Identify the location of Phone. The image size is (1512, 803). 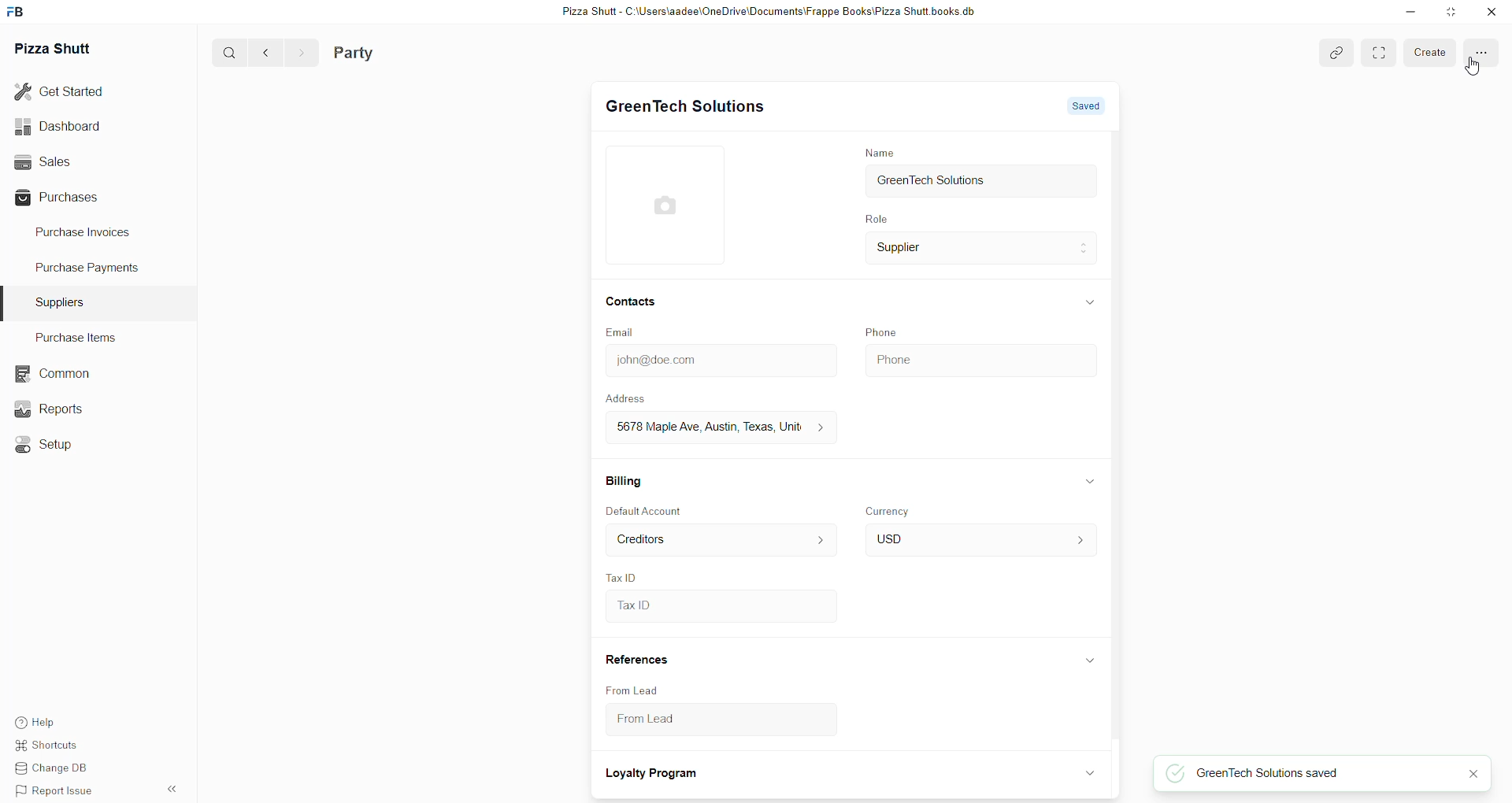
(884, 331).